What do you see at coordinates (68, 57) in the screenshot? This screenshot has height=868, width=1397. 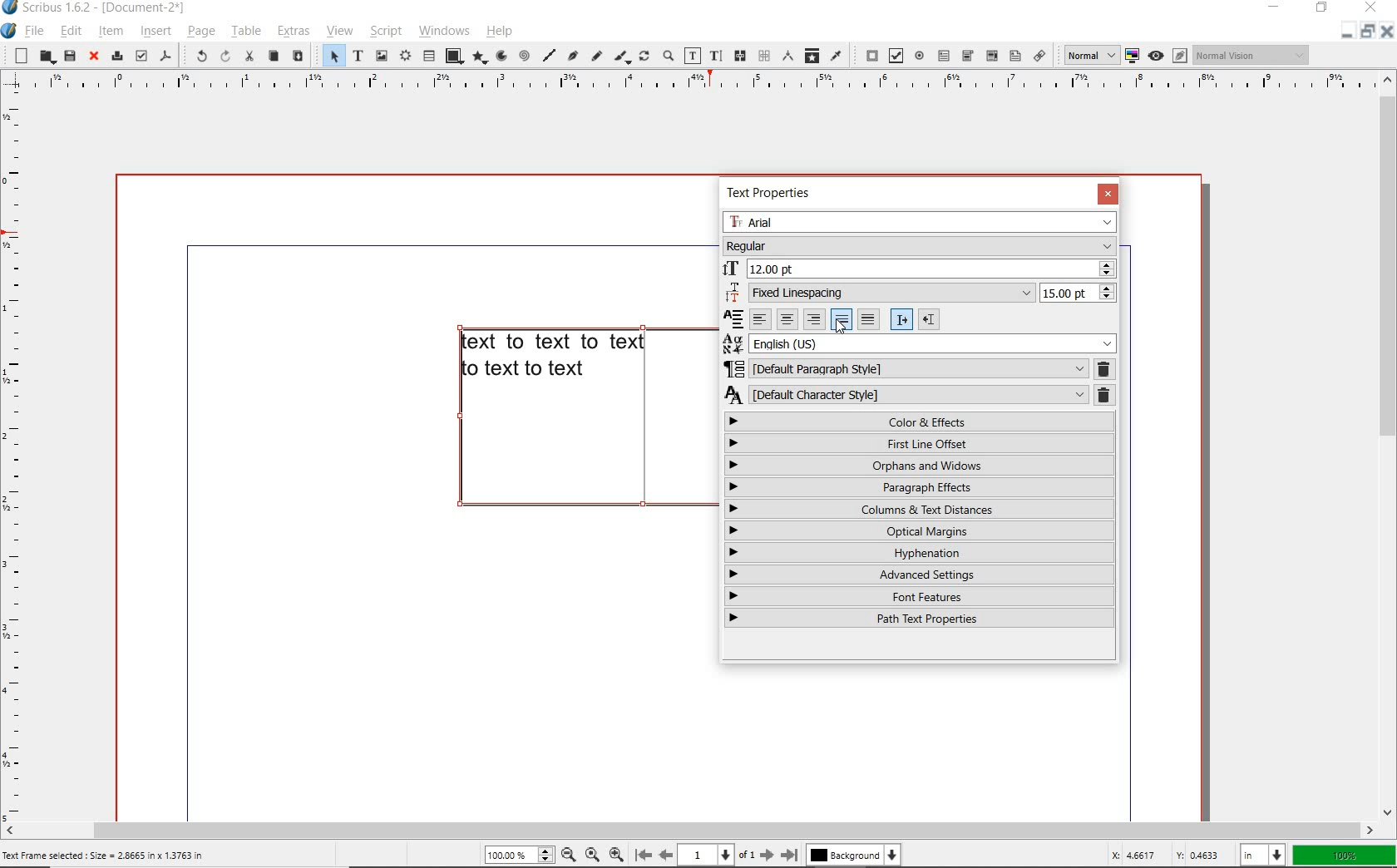 I see `save` at bounding box center [68, 57].